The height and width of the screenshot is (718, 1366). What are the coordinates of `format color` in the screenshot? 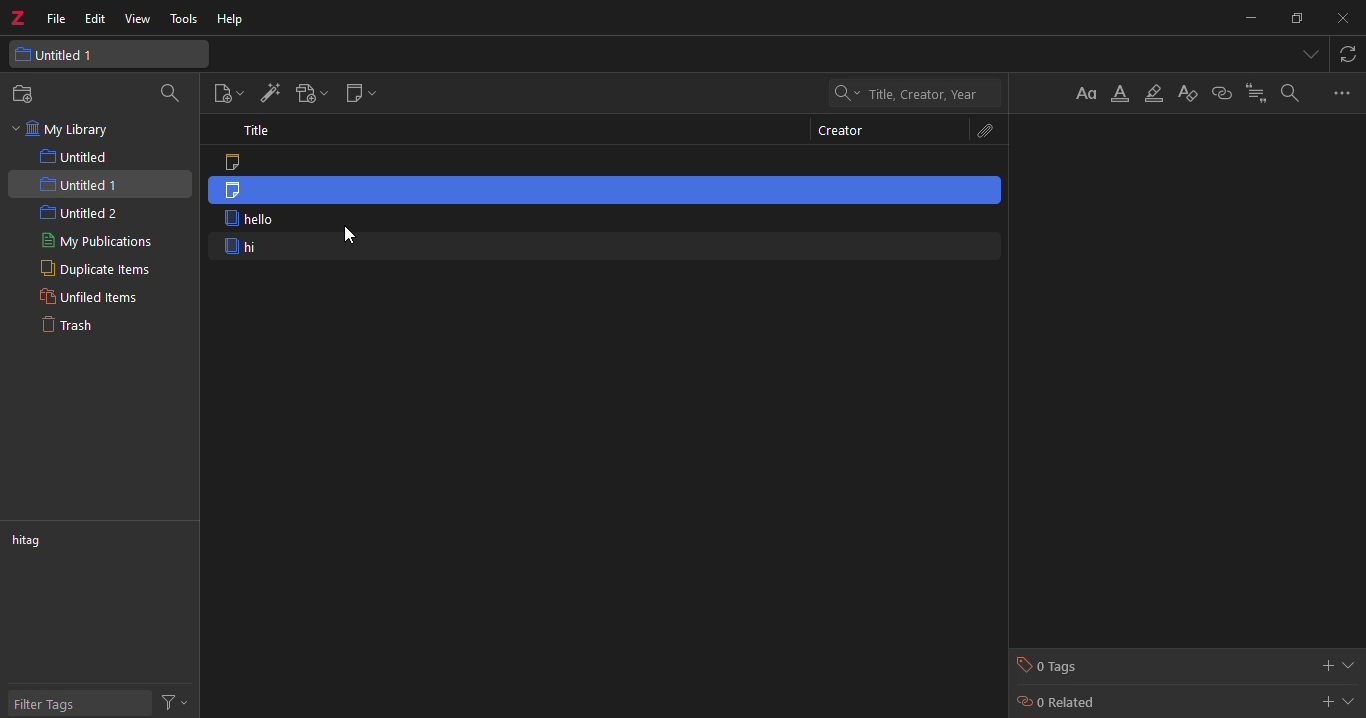 It's located at (1120, 93).